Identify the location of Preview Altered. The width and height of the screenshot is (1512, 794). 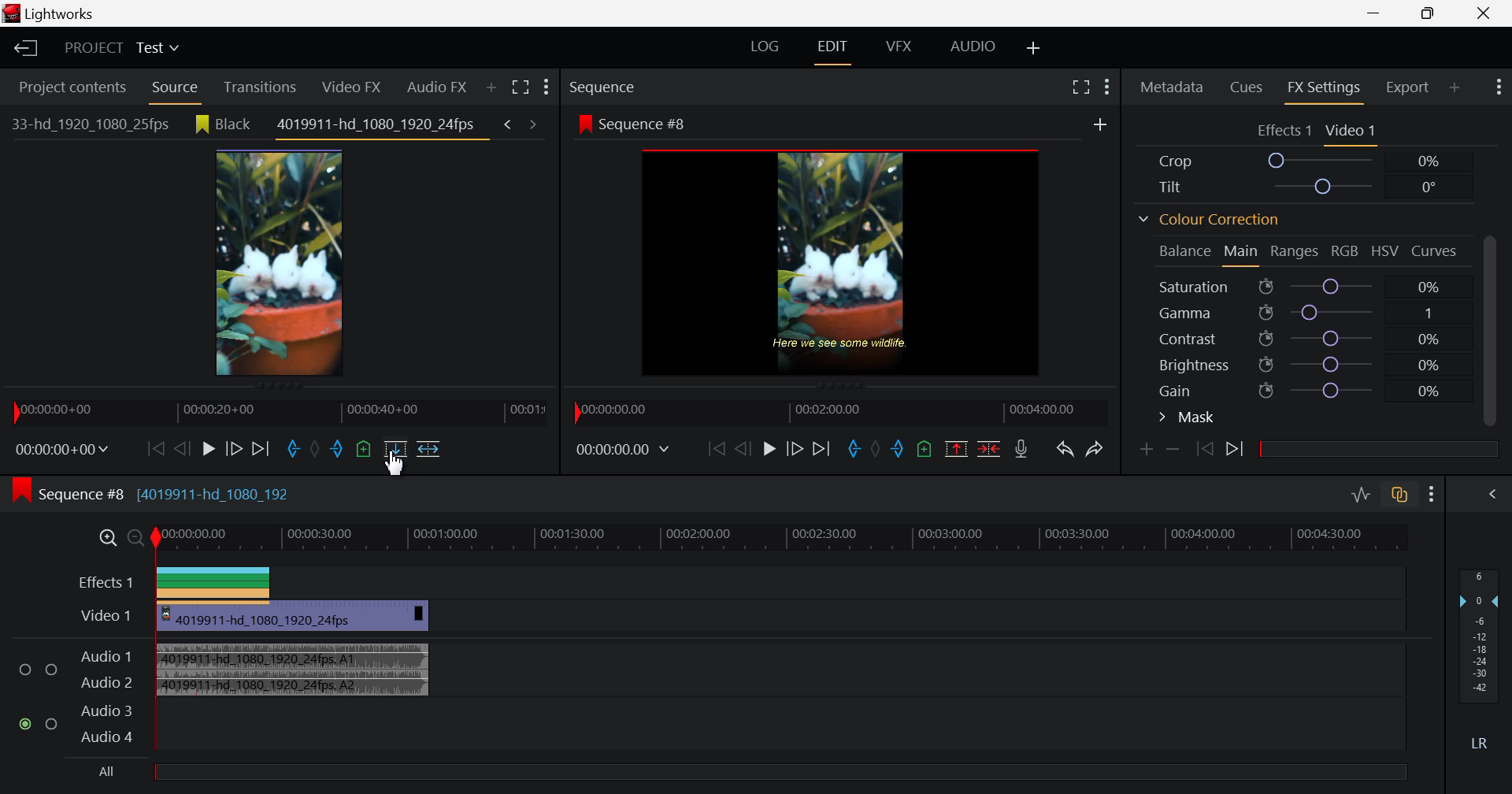
(844, 262).